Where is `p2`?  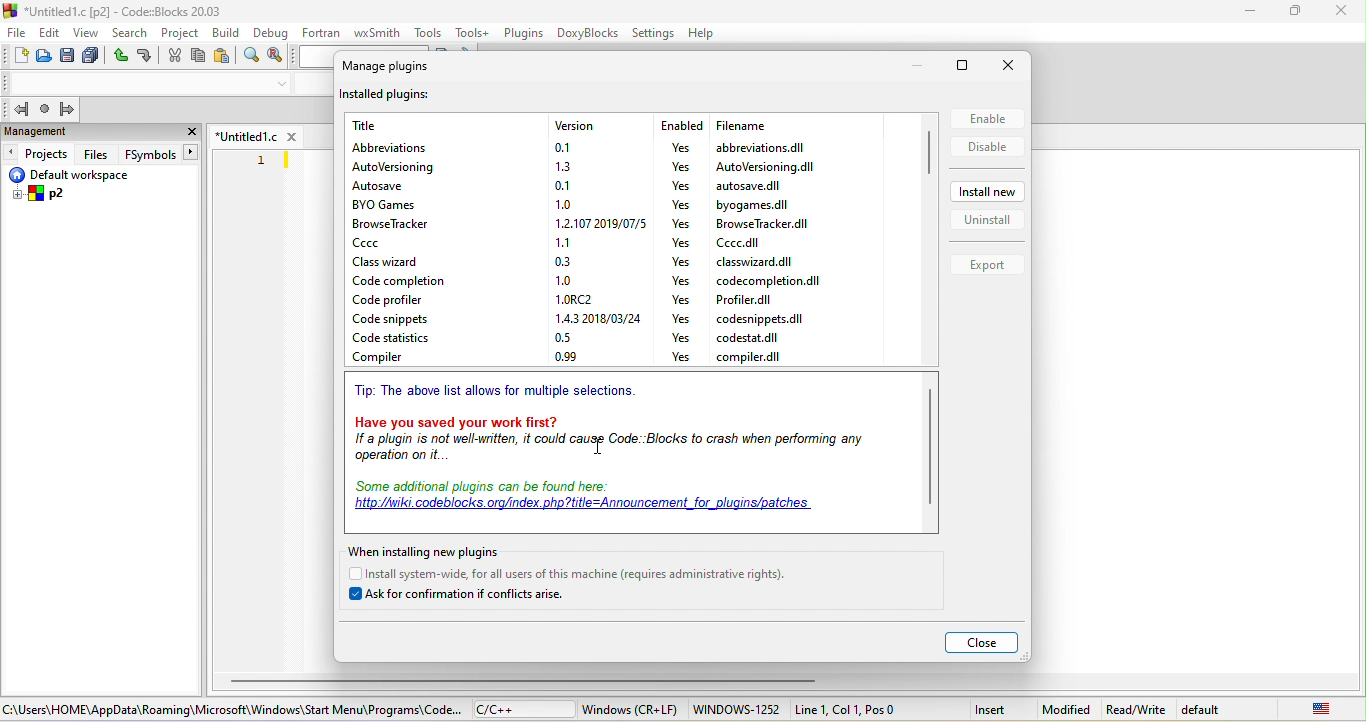
p2 is located at coordinates (41, 195).